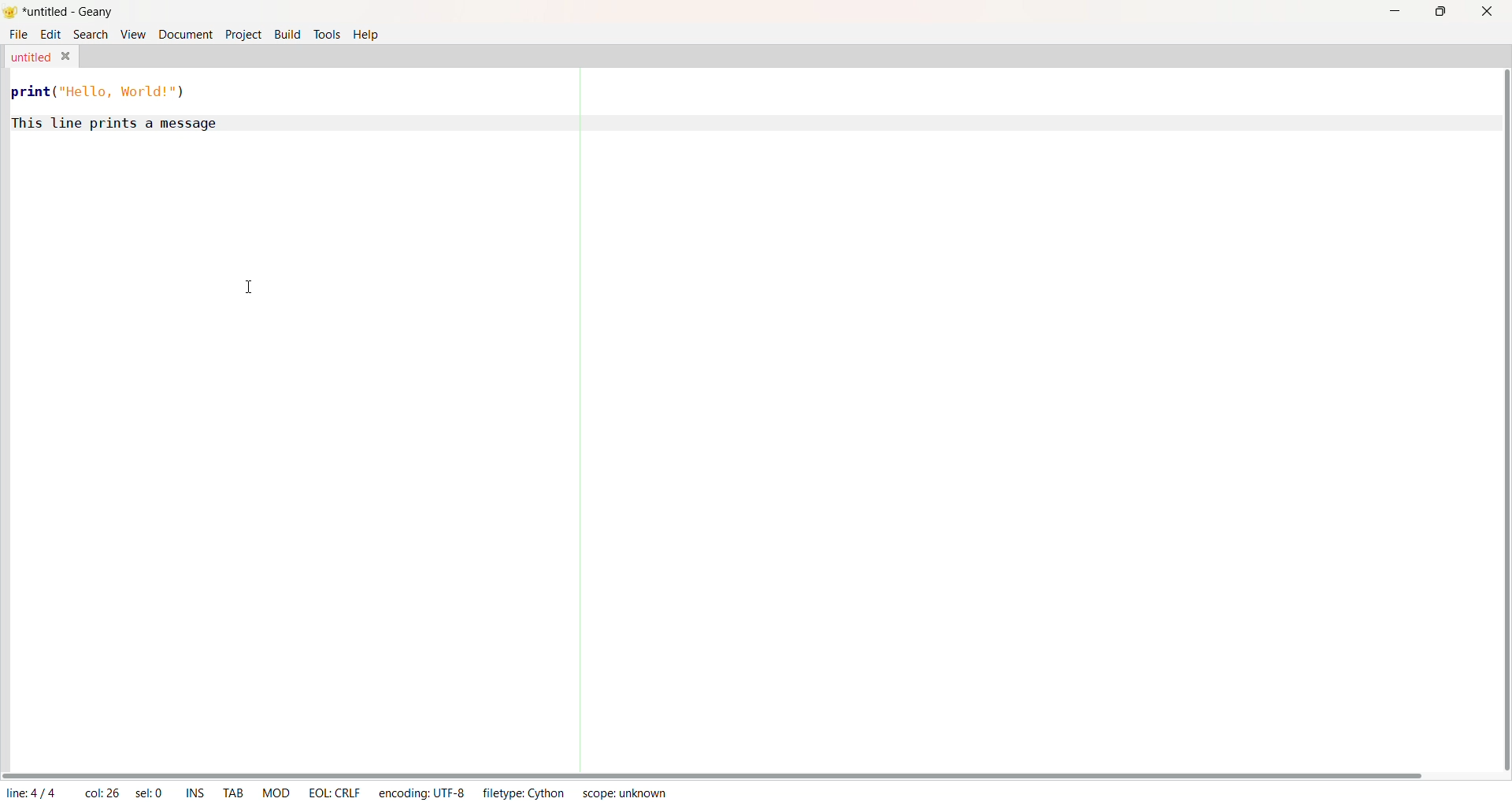 The height and width of the screenshot is (802, 1512). Describe the element at coordinates (1395, 9) in the screenshot. I see `Minimize` at that location.